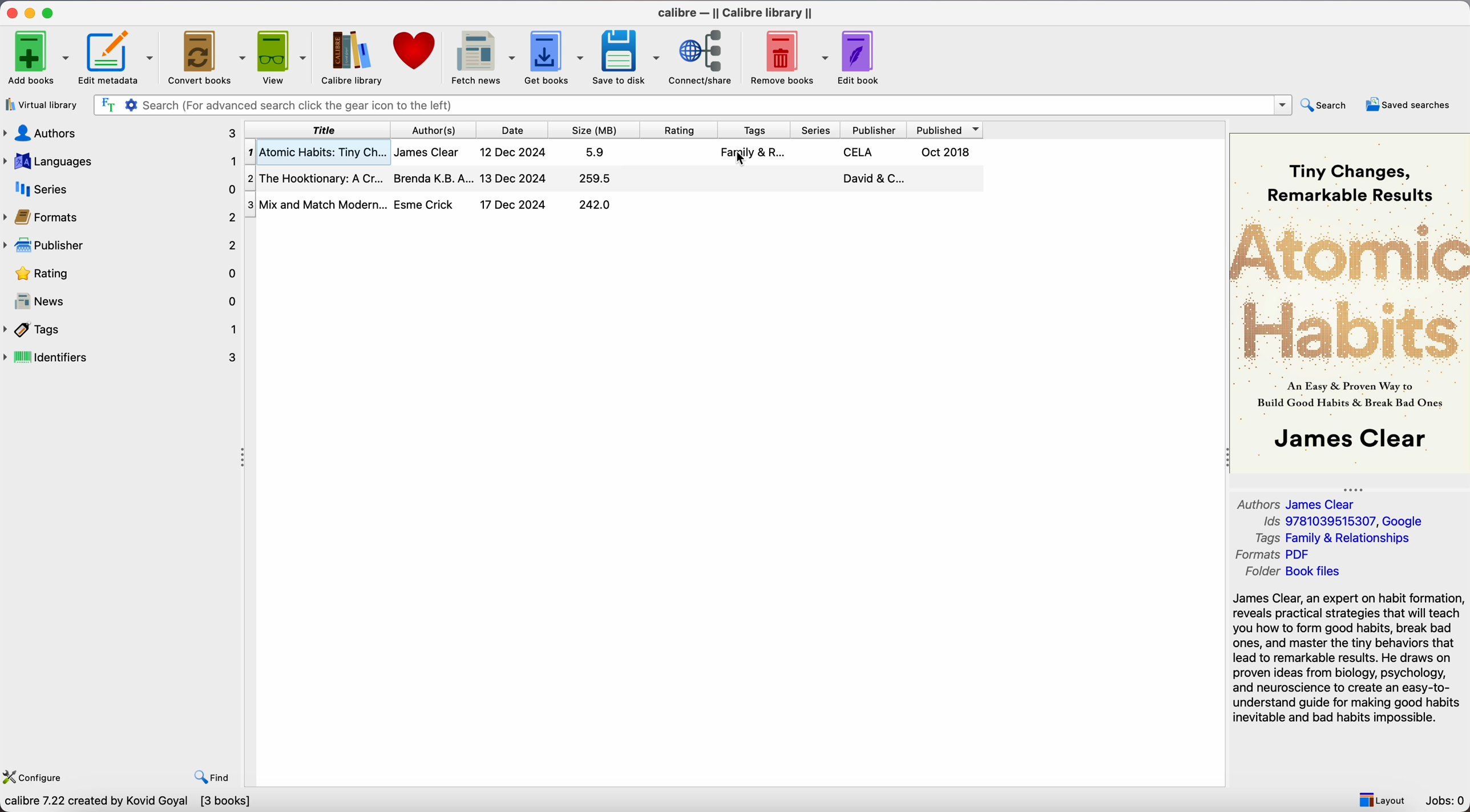 Image resolution: width=1470 pixels, height=812 pixels. What do you see at coordinates (597, 152) in the screenshot?
I see `5.9` at bounding box center [597, 152].